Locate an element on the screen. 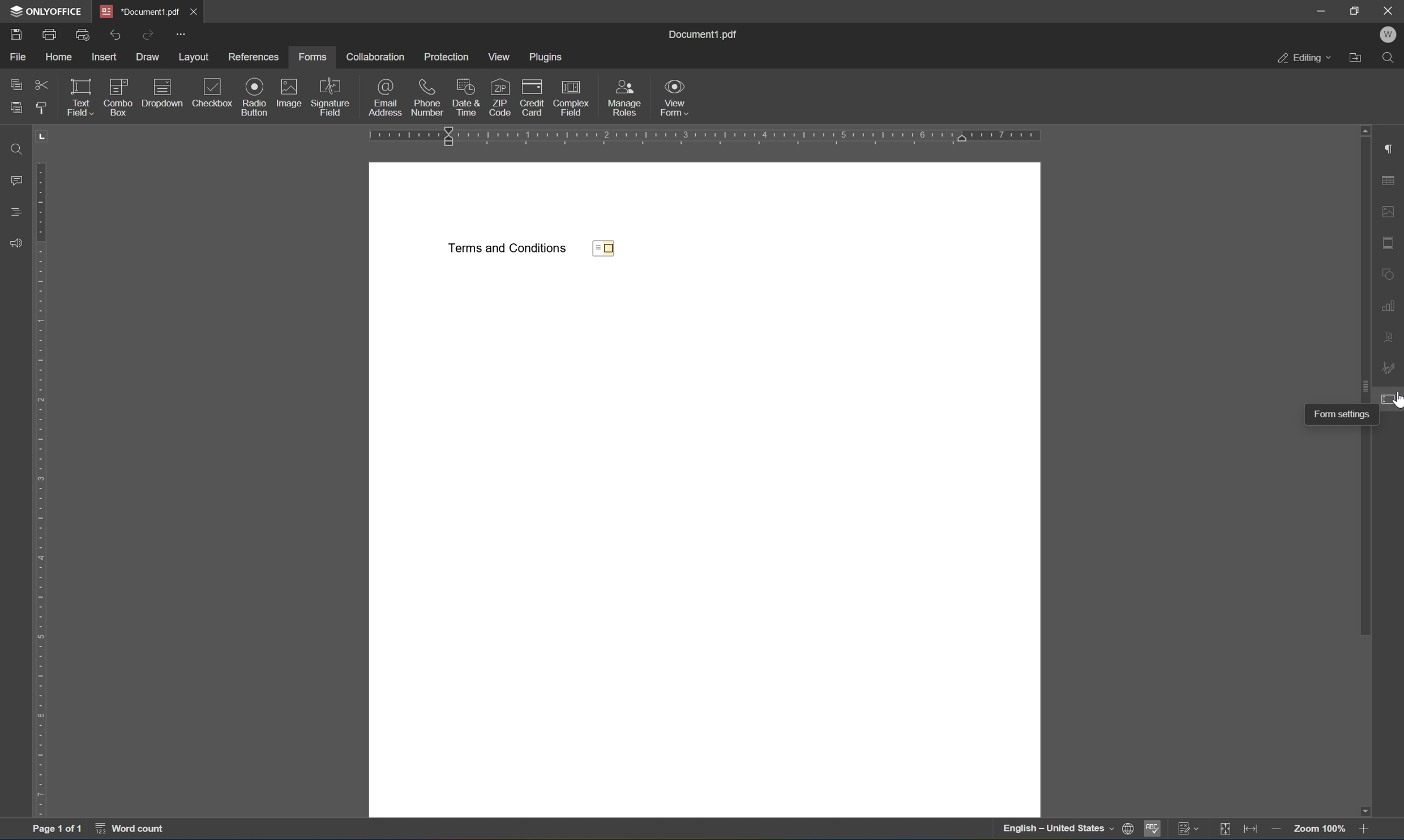  zoom in is located at coordinates (1366, 830).